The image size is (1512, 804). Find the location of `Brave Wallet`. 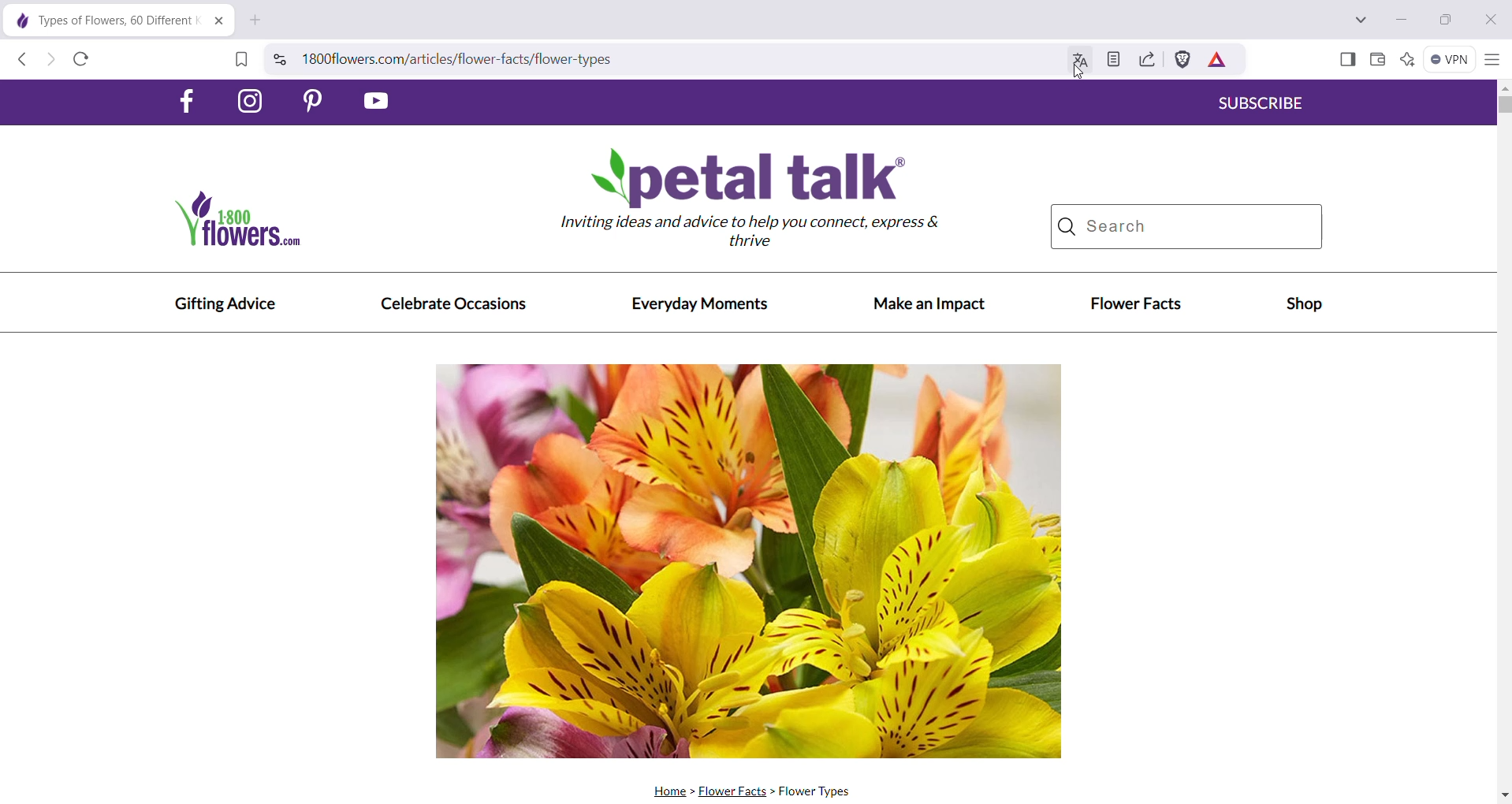

Brave Wallet is located at coordinates (1376, 61).